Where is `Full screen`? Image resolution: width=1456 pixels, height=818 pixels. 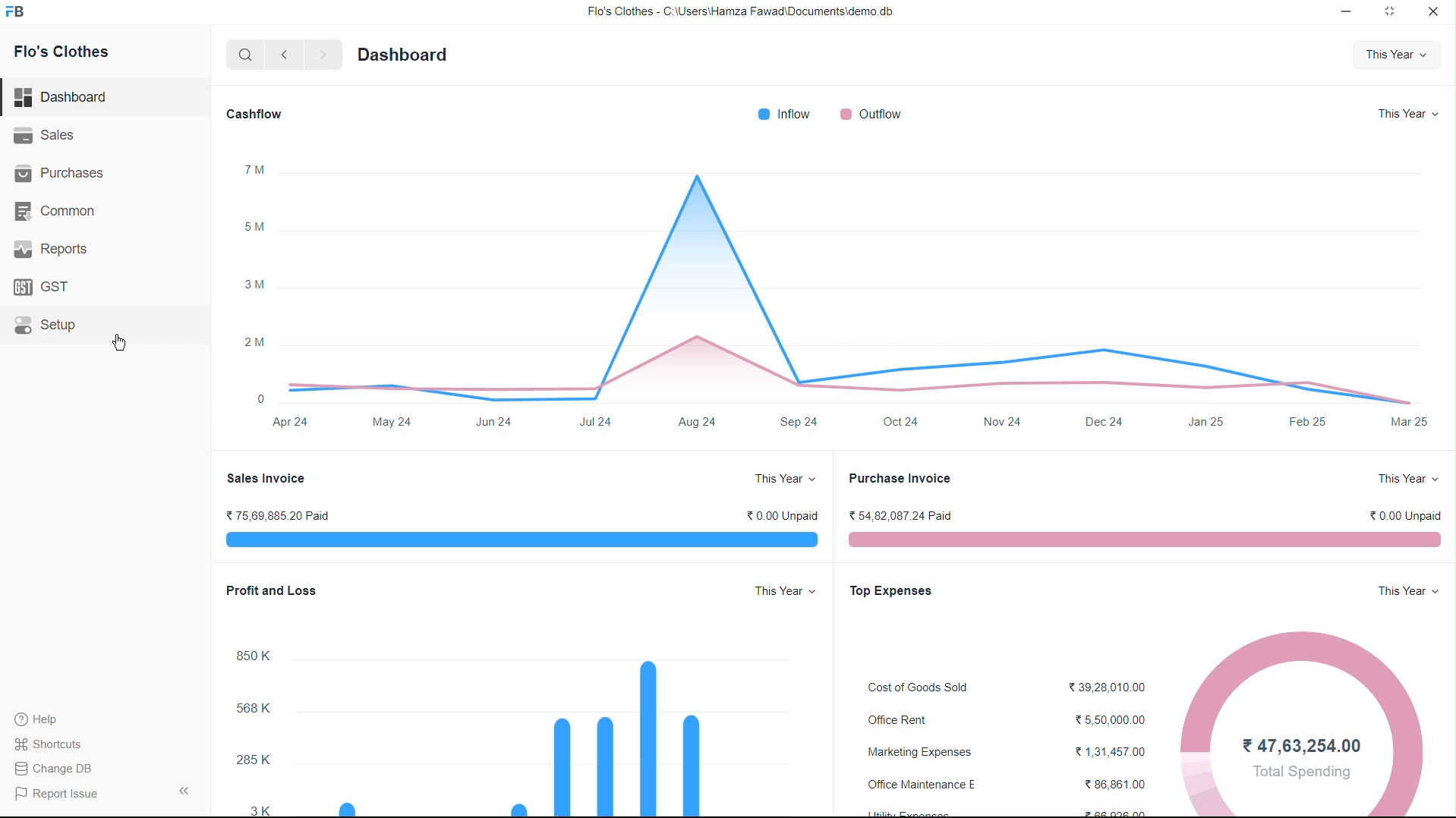
Full screen is located at coordinates (1391, 13).